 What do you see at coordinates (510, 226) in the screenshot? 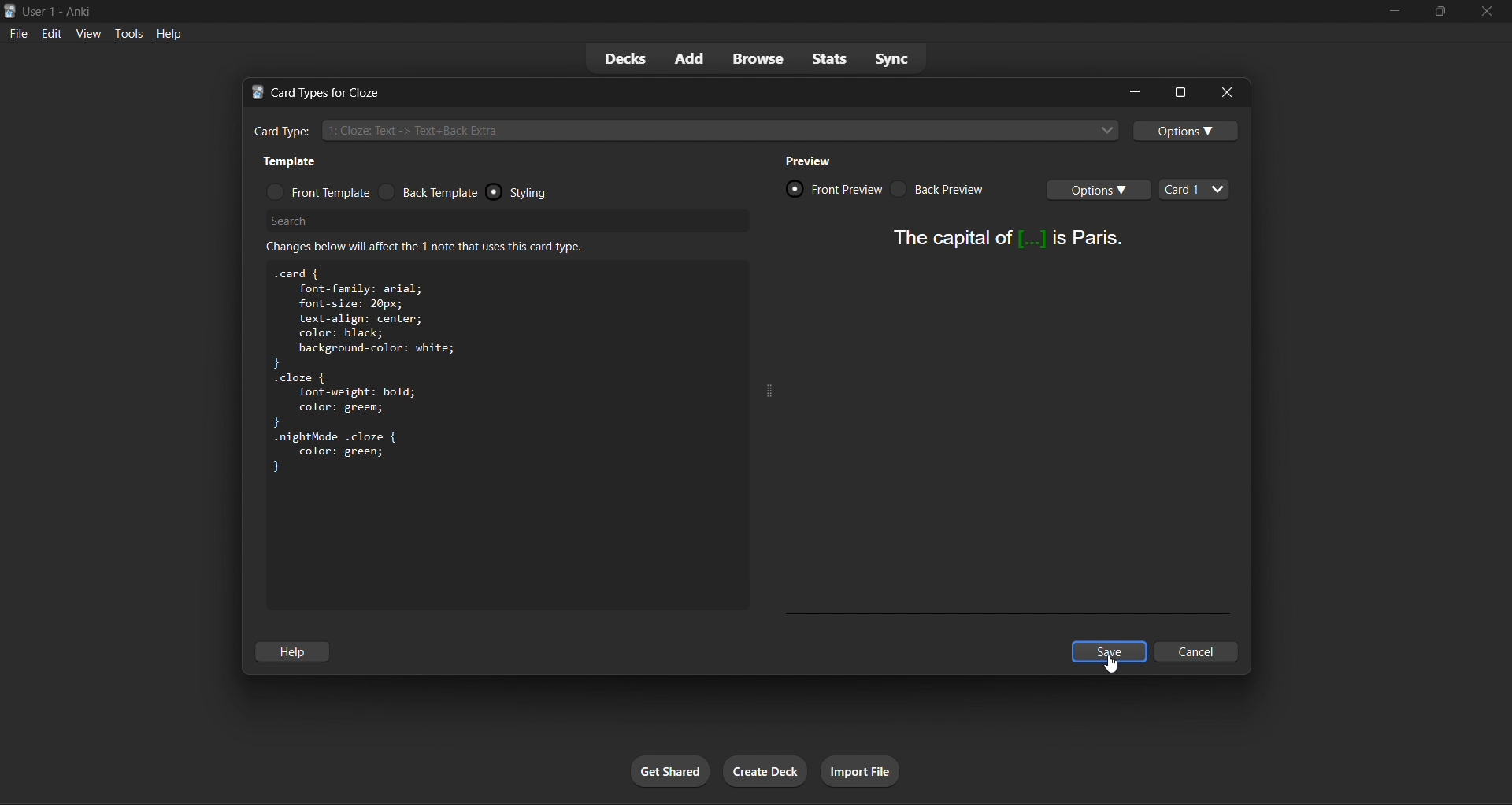
I see `search bar` at bounding box center [510, 226].